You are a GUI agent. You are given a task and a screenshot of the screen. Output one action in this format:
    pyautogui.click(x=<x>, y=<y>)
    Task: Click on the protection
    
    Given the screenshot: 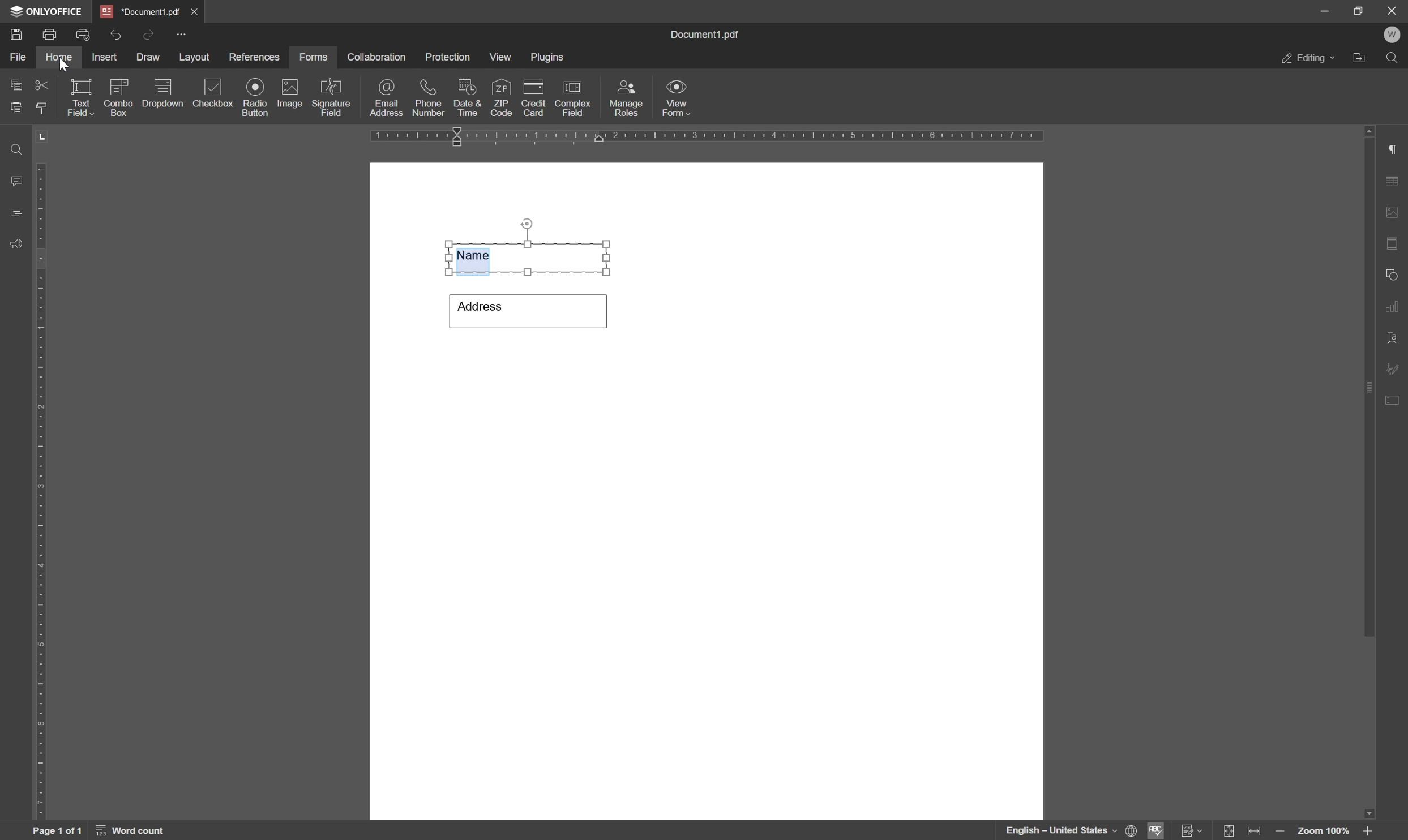 What is the action you would take?
    pyautogui.click(x=448, y=57)
    